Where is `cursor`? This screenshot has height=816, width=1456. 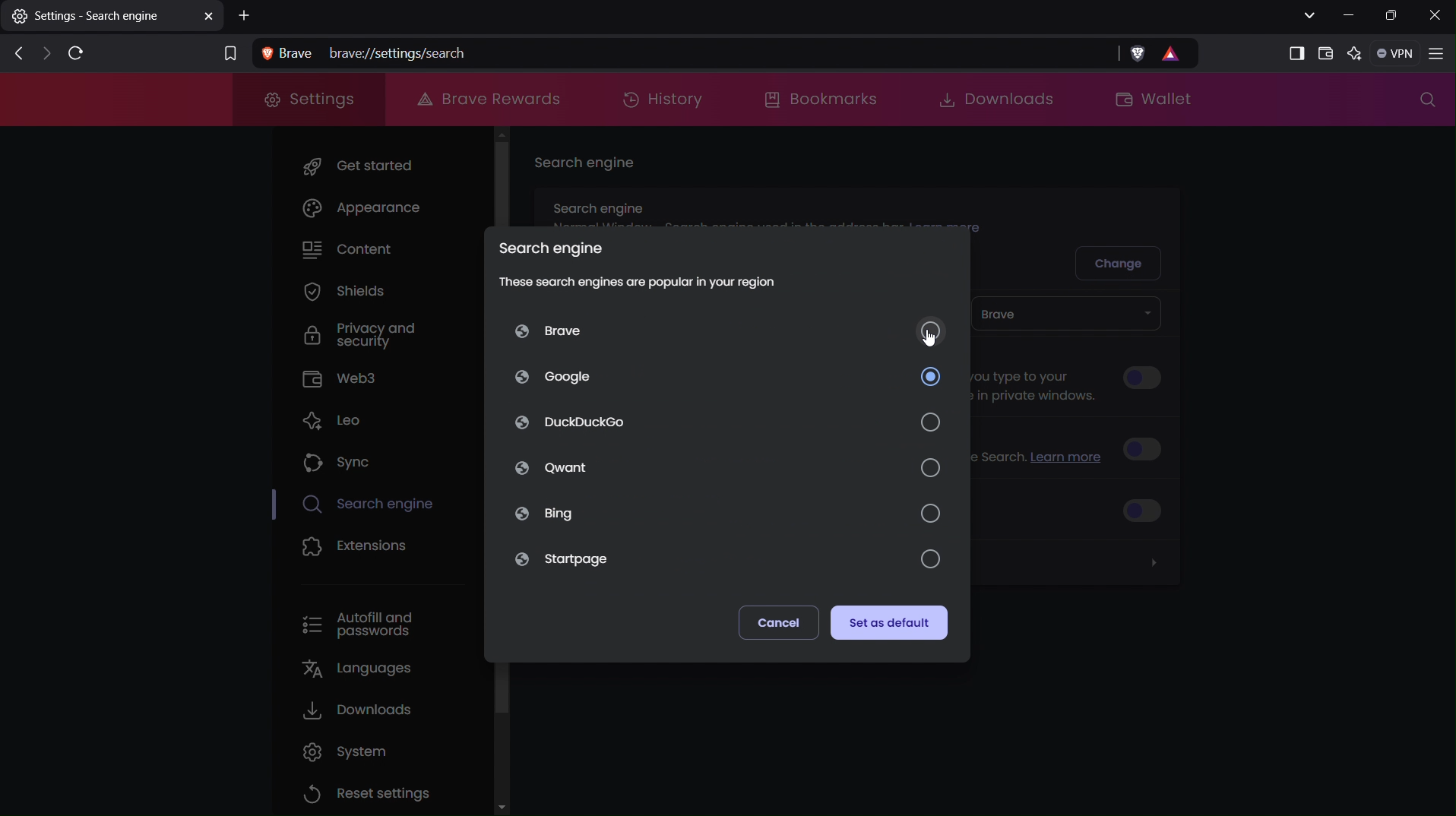 cursor is located at coordinates (928, 338).